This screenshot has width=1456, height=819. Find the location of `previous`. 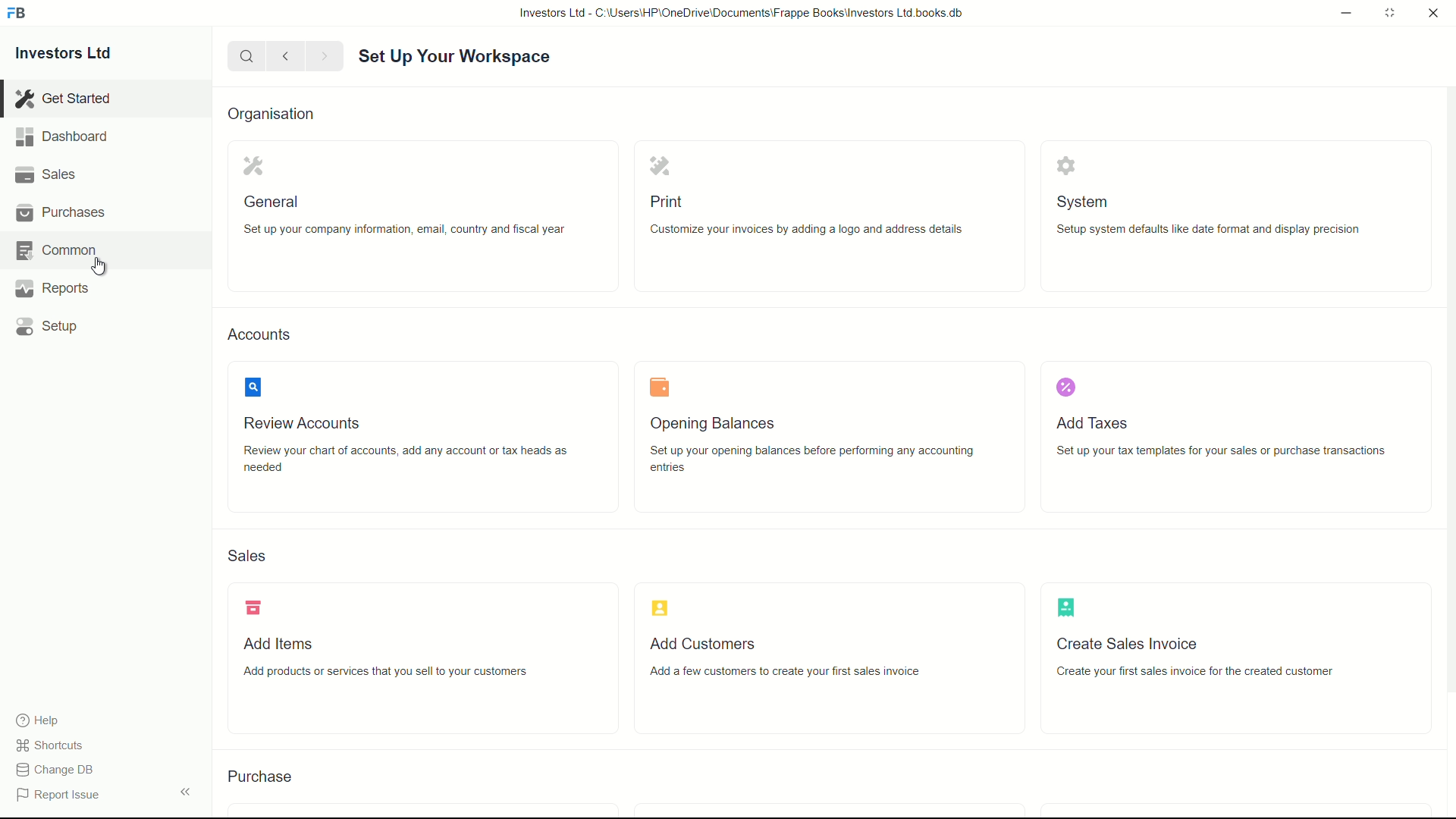

previous is located at coordinates (284, 56).